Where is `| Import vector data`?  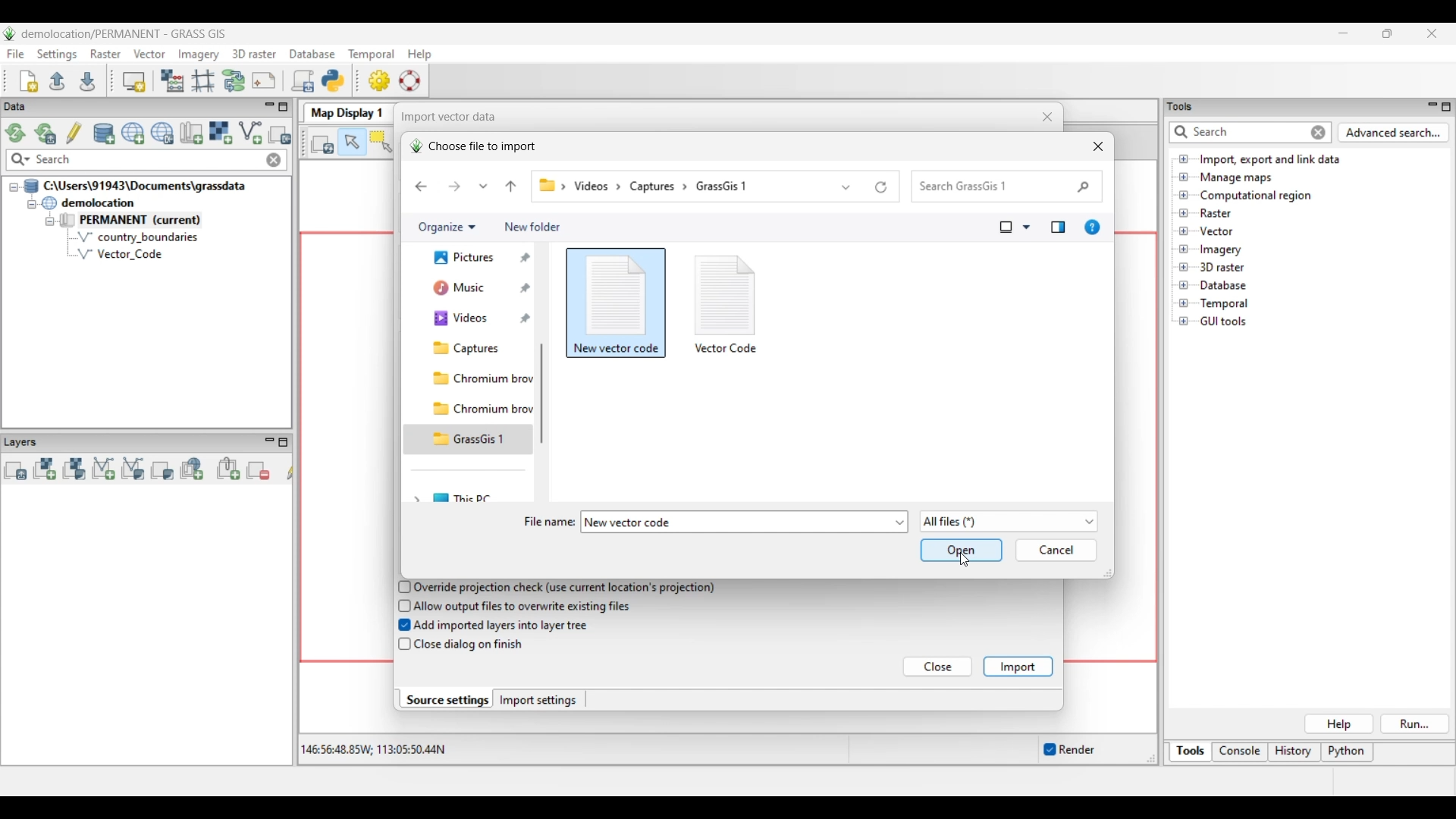
| Import vector data is located at coordinates (444, 117).